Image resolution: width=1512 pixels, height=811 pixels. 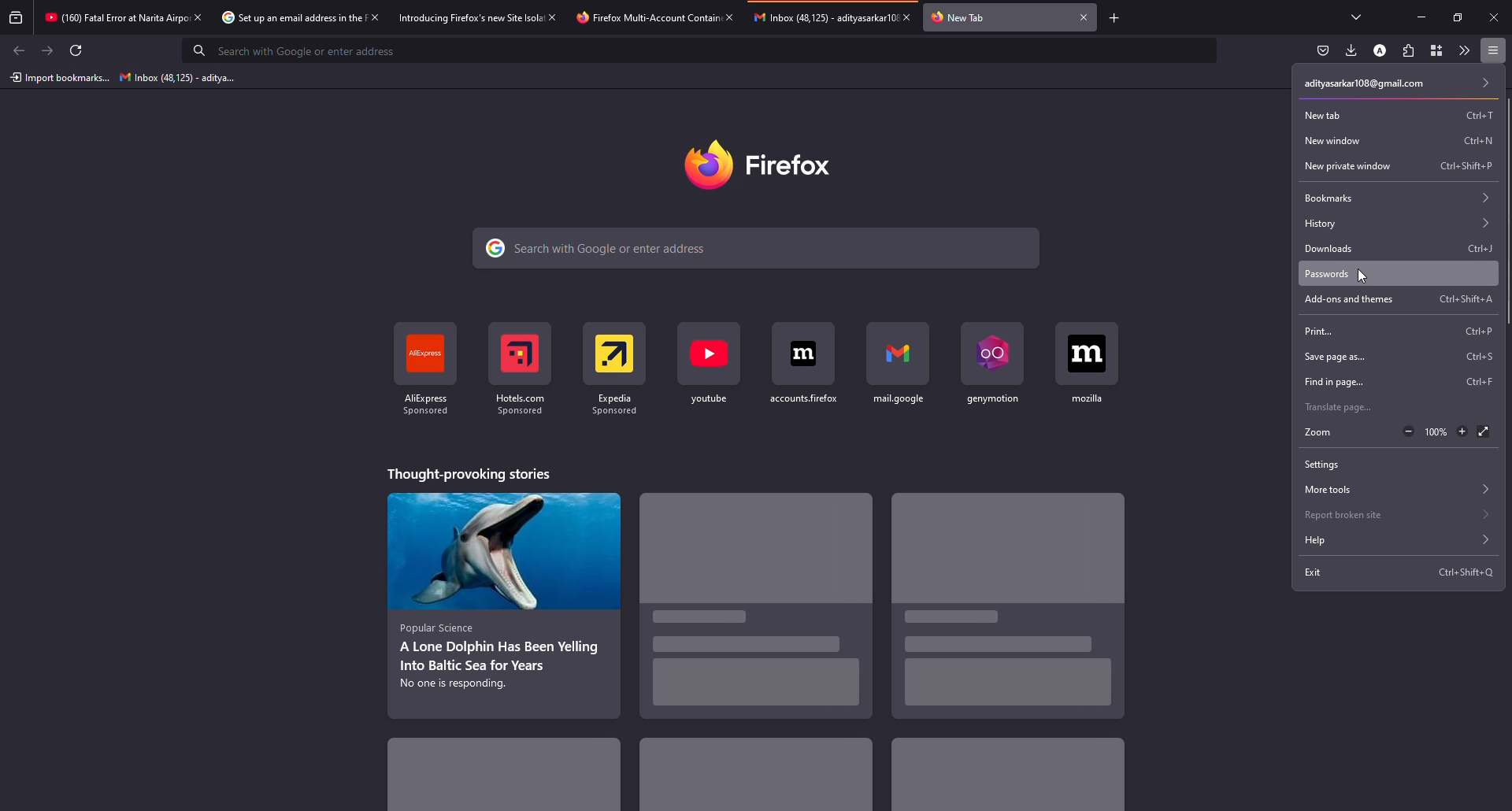 I want to click on menu, so click(x=1493, y=50).